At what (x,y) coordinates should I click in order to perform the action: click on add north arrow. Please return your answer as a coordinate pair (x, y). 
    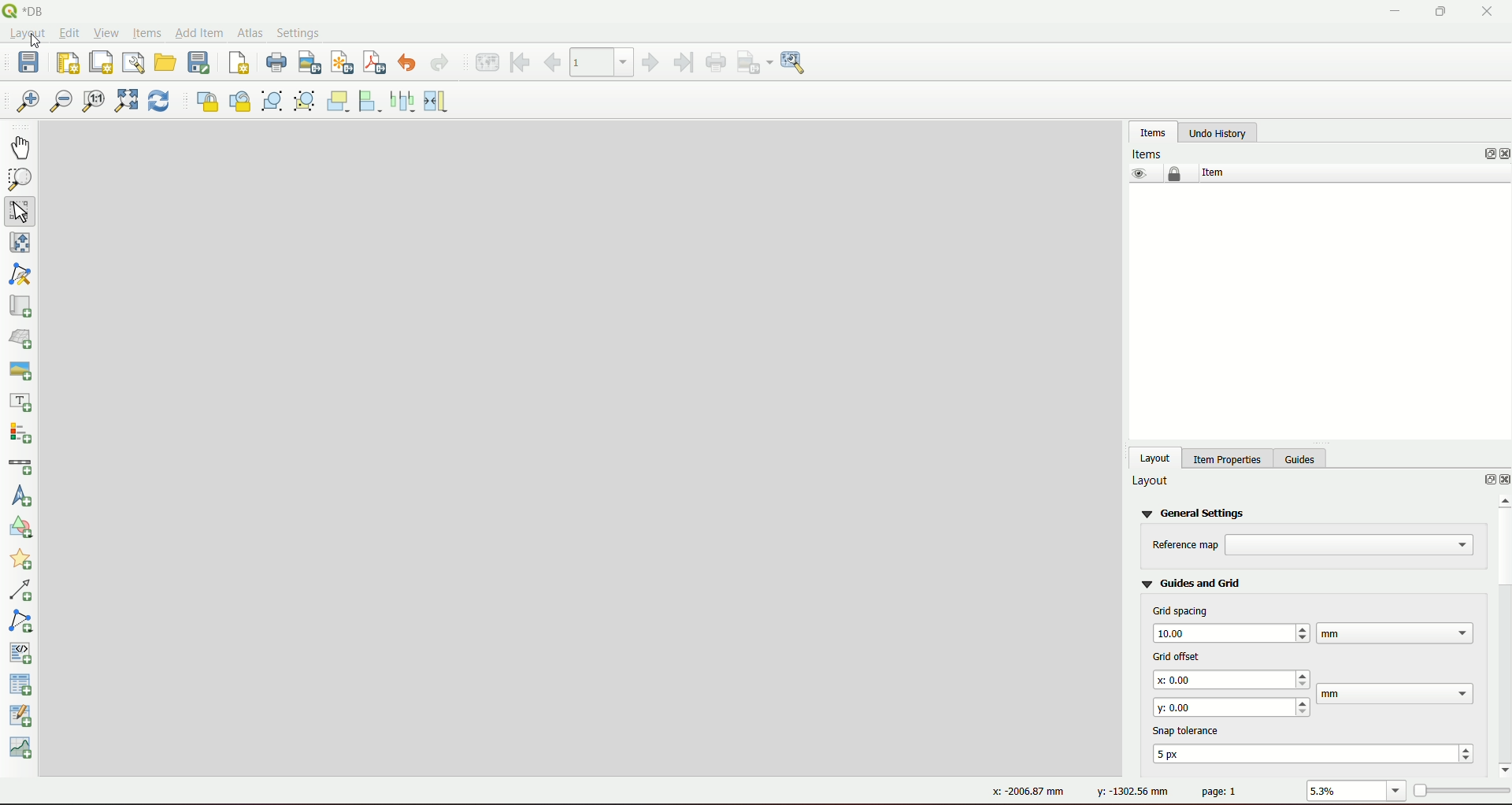
    Looking at the image, I should click on (24, 497).